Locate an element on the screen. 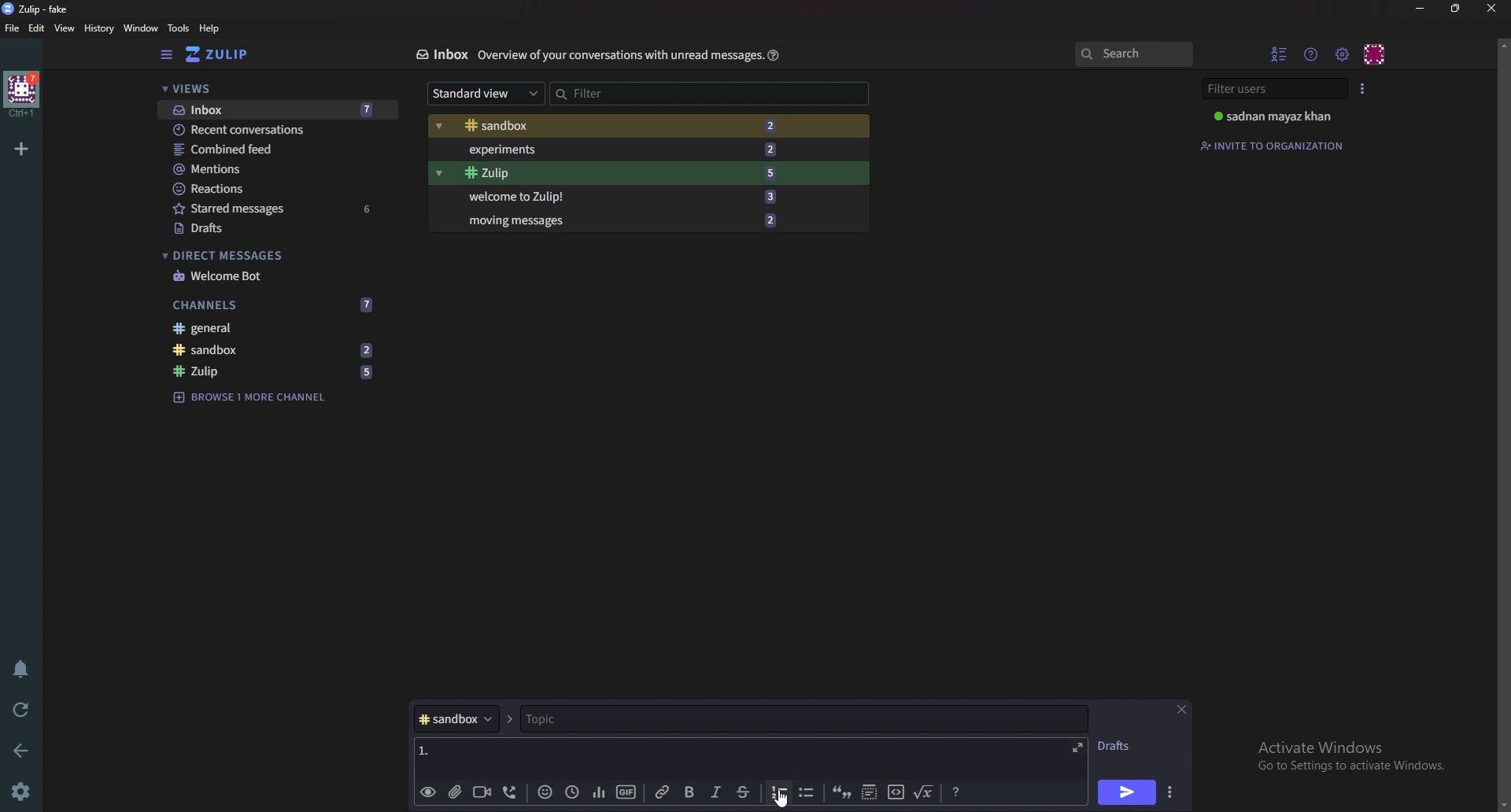 The image size is (1511, 812). Message formatting is located at coordinates (955, 792).